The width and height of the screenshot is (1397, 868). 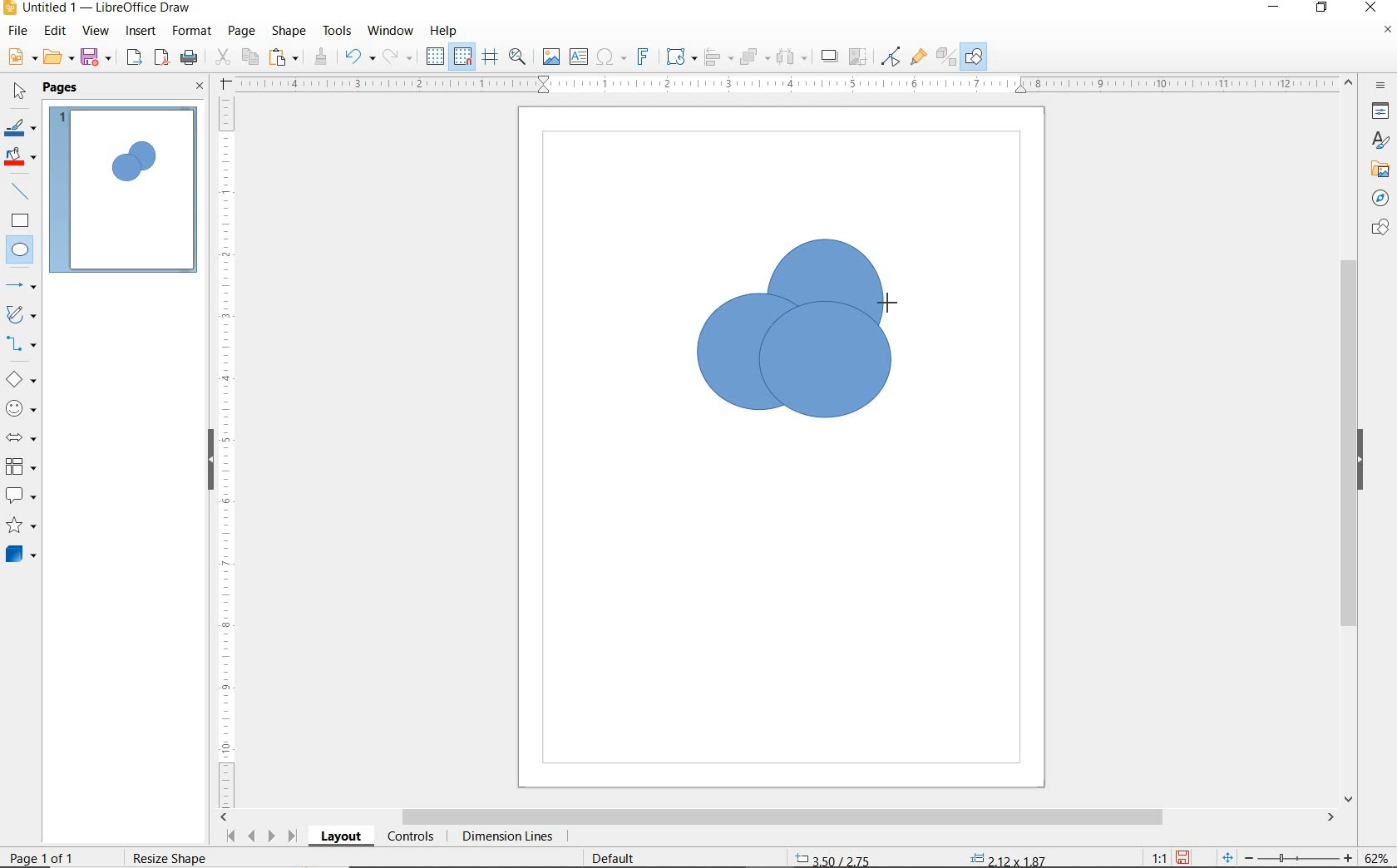 What do you see at coordinates (22, 344) in the screenshot?
I see `CONNECTORS` at bounding box center [22, 344].